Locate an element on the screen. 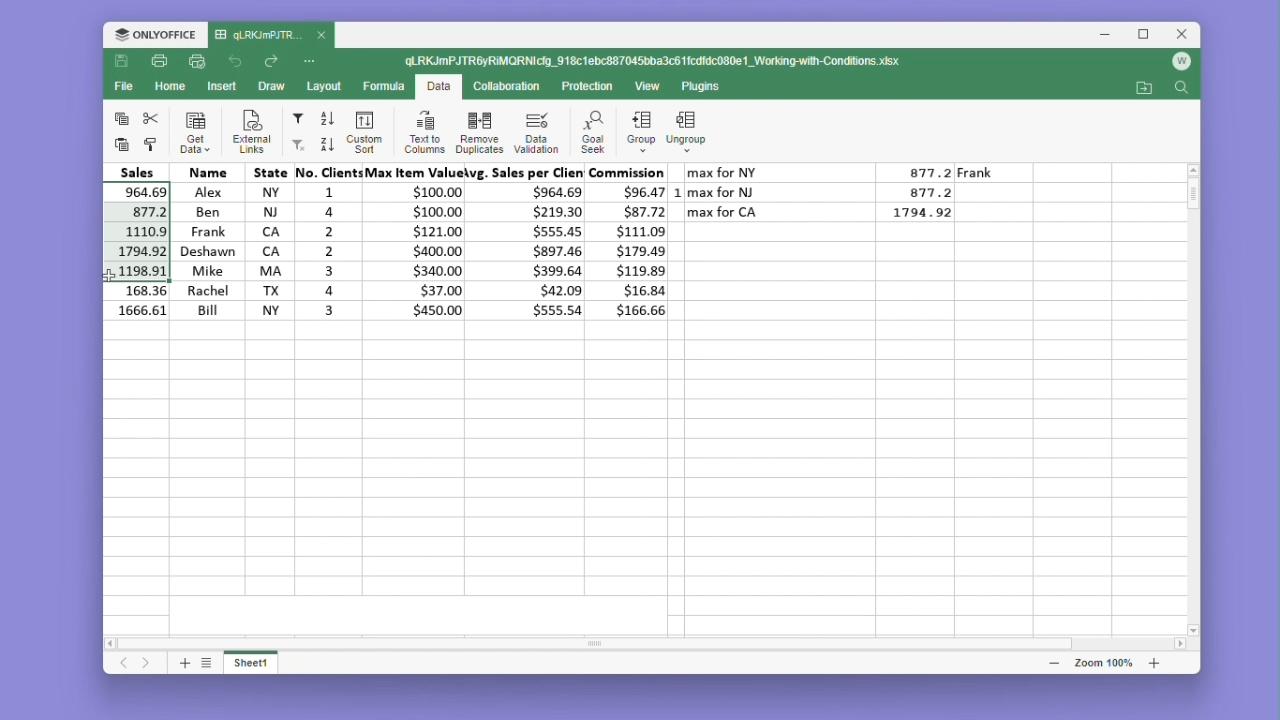 Image resolution: width=1280 pixels, height=720 pixels. Minimise  is located at coordinates (1111, 35).